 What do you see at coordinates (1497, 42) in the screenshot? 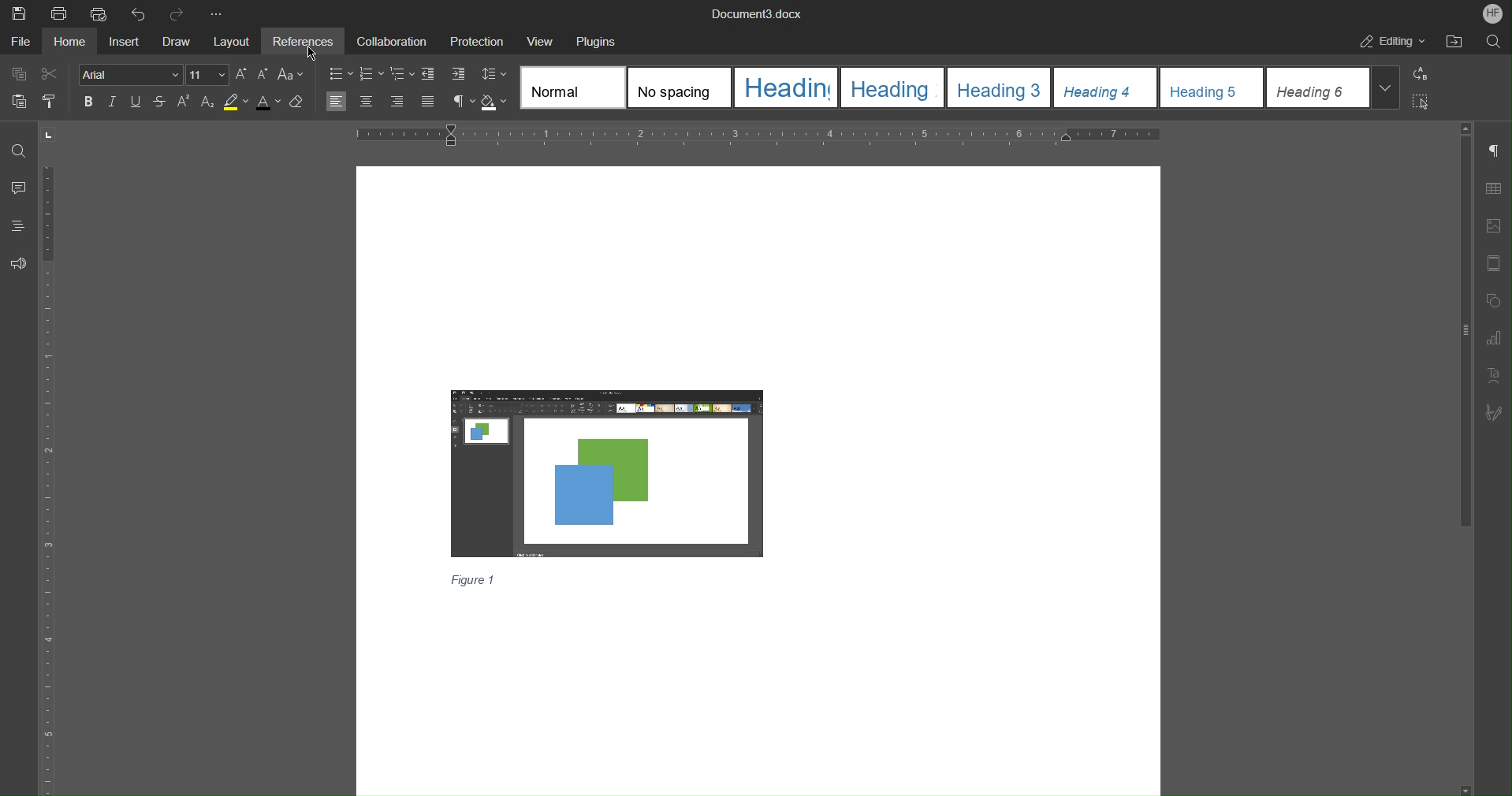
I see `Search` at bounding box center [1497, 42].